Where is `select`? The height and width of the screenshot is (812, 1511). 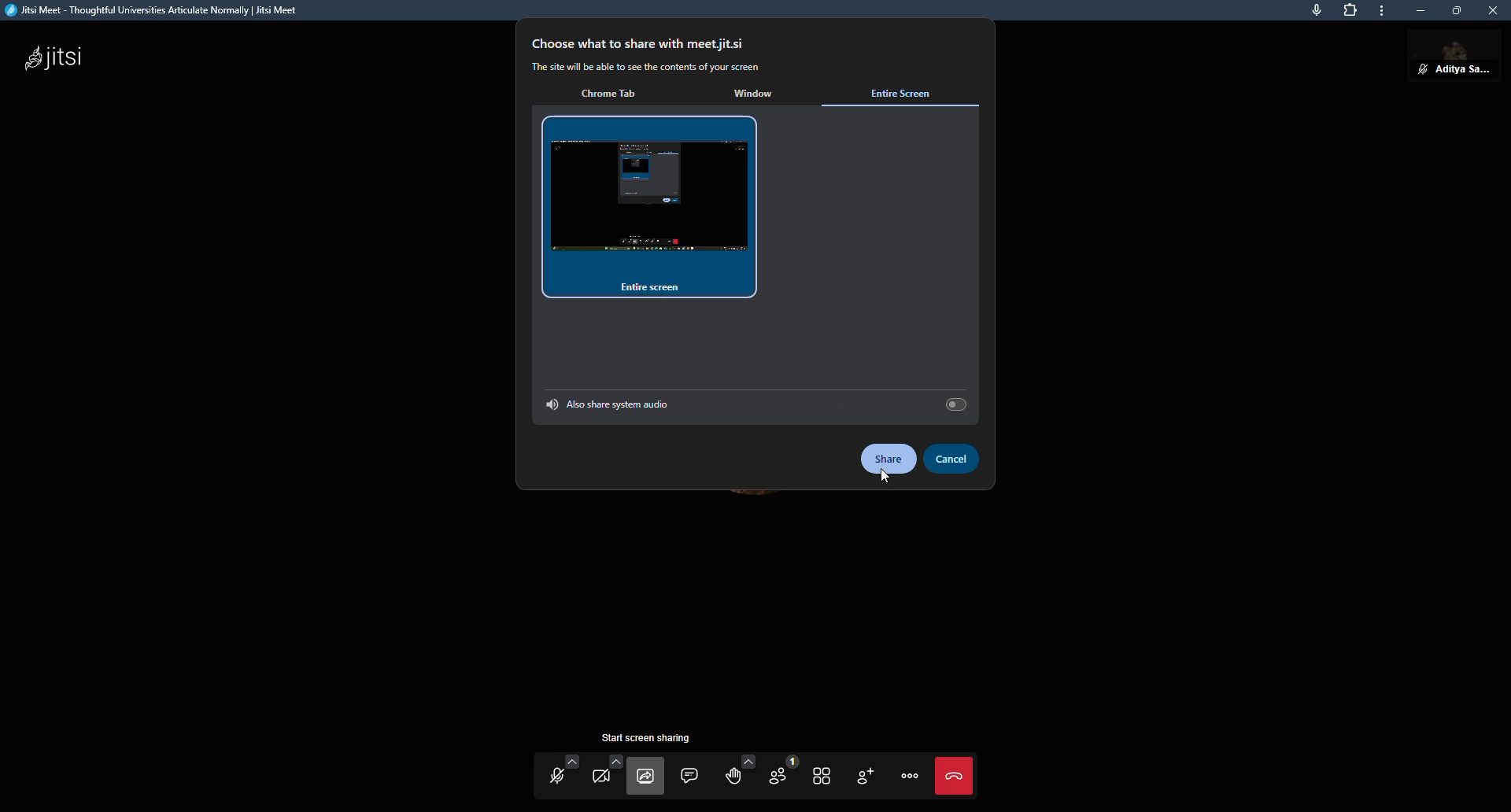
select is located at coordinates (953, 404).